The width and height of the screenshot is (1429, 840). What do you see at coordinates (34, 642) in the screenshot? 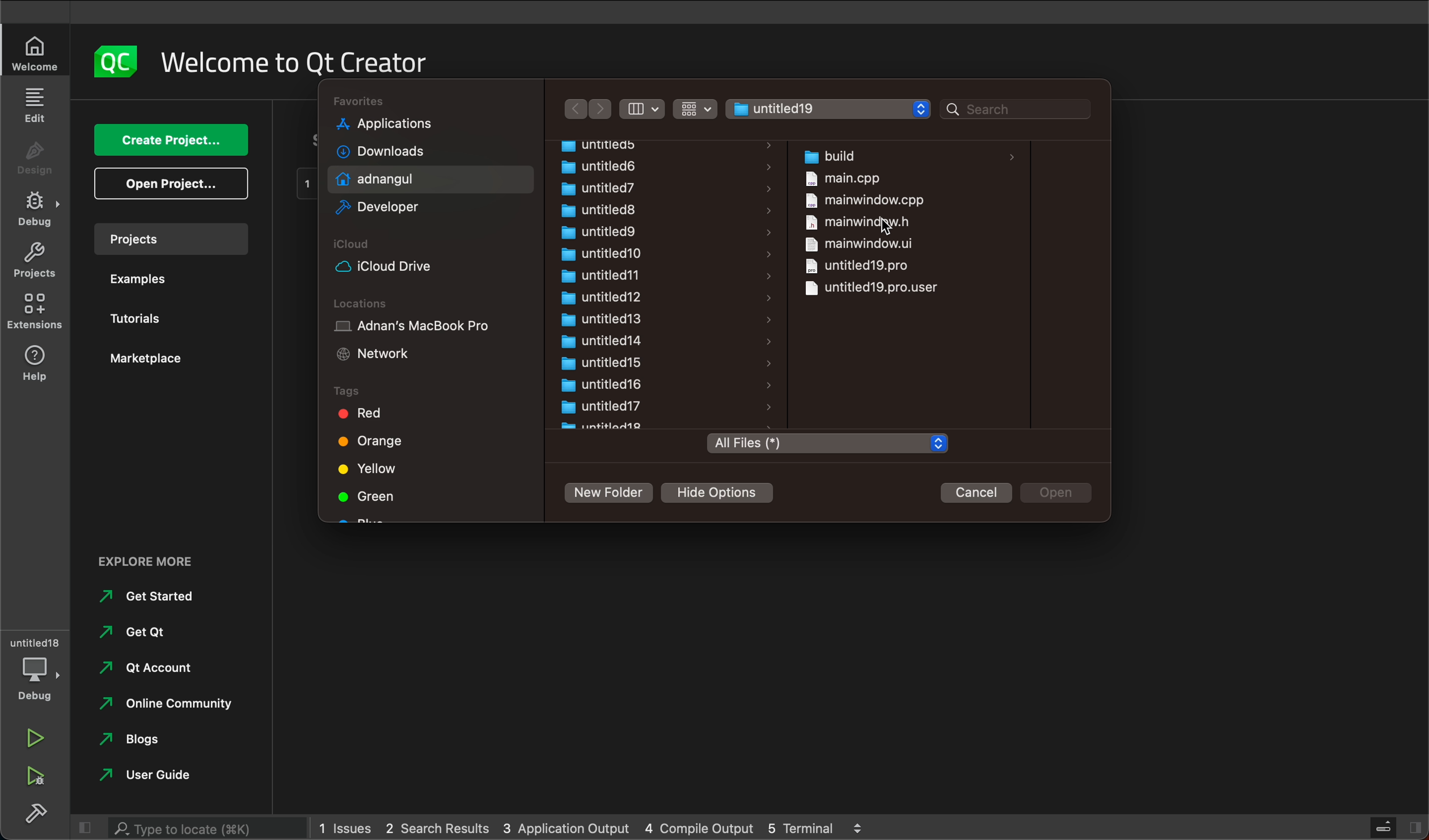
I see `untitled` at bounding box center [34, 642].